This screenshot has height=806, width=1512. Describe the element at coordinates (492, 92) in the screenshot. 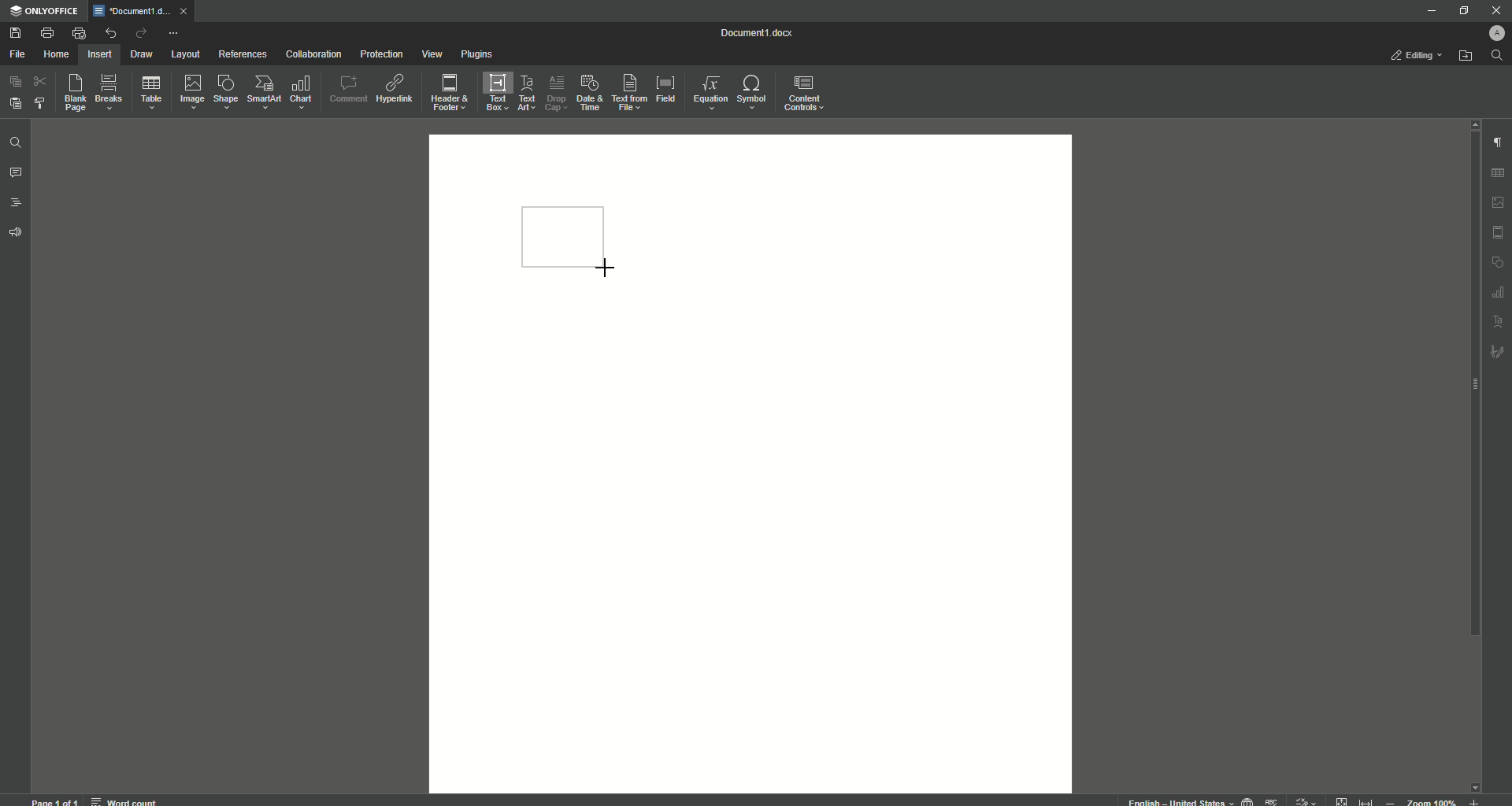

I see `Text Box` at that location.